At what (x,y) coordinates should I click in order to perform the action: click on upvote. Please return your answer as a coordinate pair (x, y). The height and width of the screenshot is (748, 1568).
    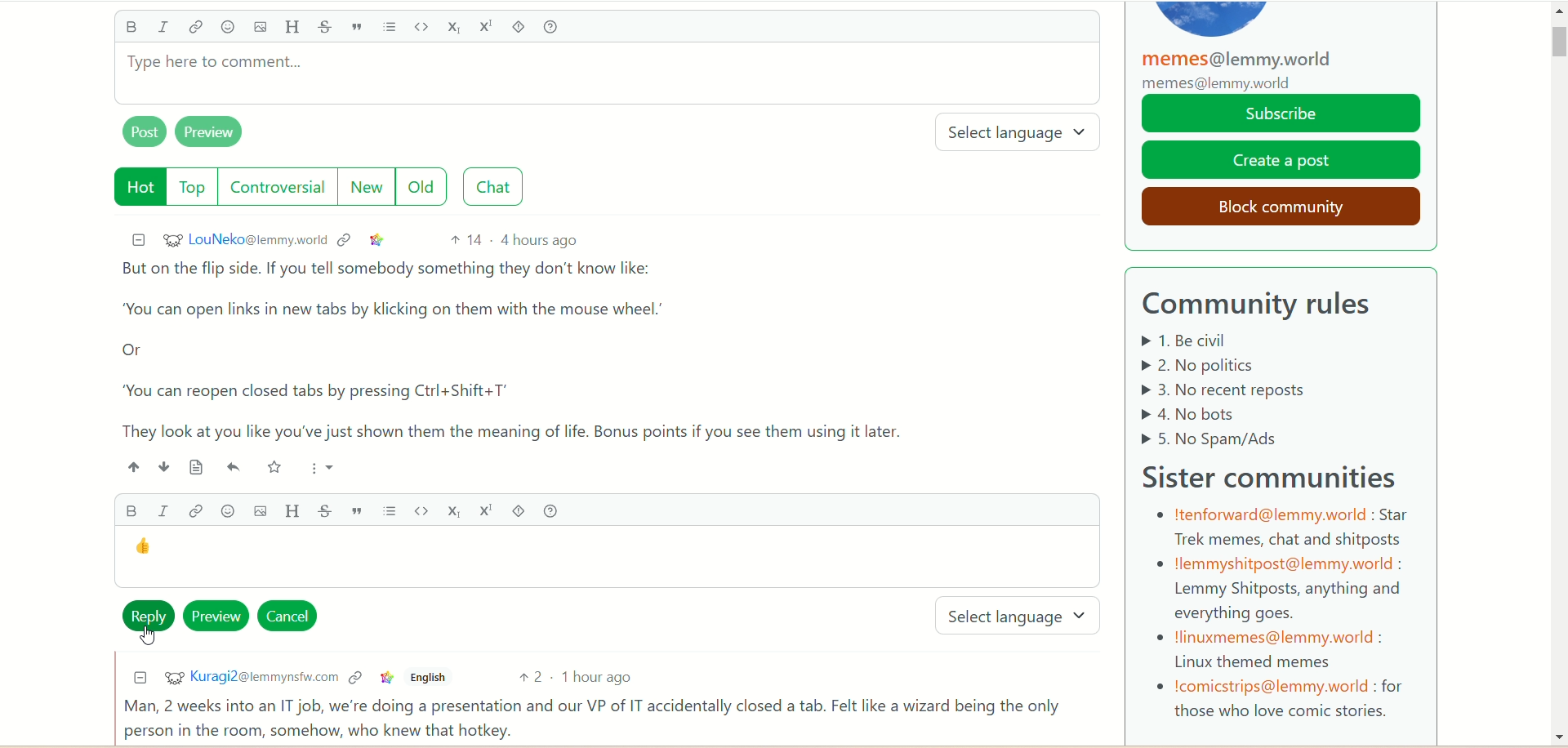
    Looking at the image, I should click on (134, 466).